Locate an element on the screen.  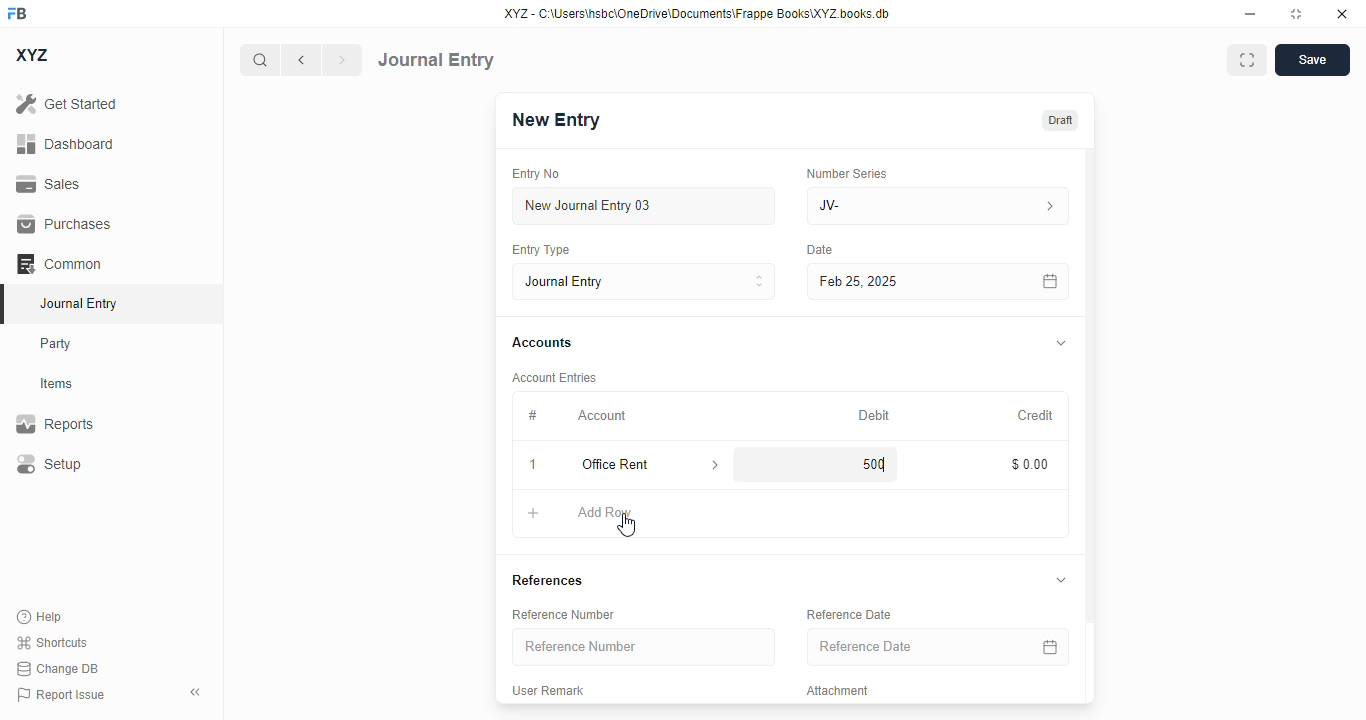
reference number is located at coordinates (643, 646).